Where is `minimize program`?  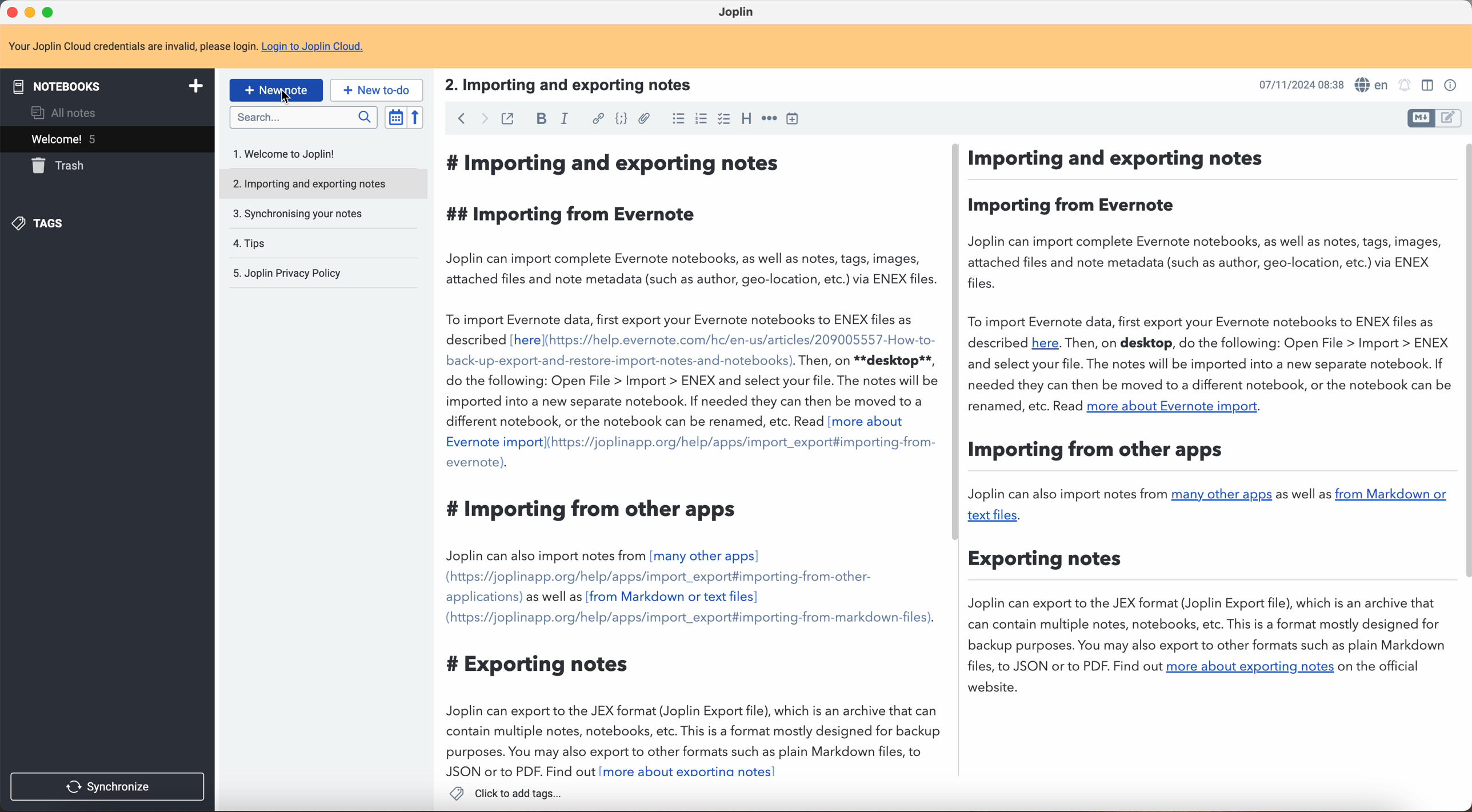 minimize program is located at coordinates (30, 11).